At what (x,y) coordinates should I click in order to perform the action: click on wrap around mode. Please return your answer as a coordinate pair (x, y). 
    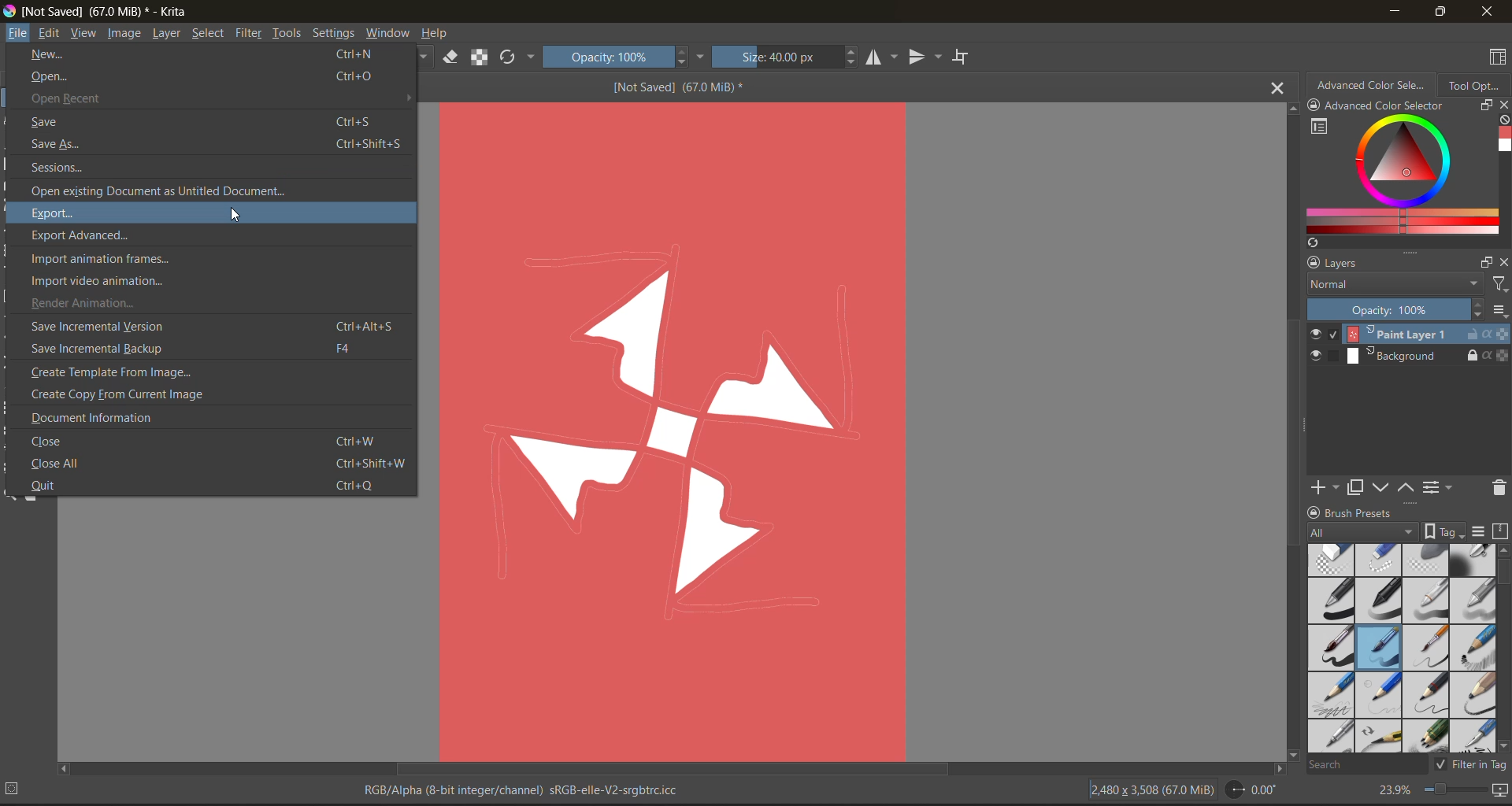
    Looking at the image, I should click on (962, 57).